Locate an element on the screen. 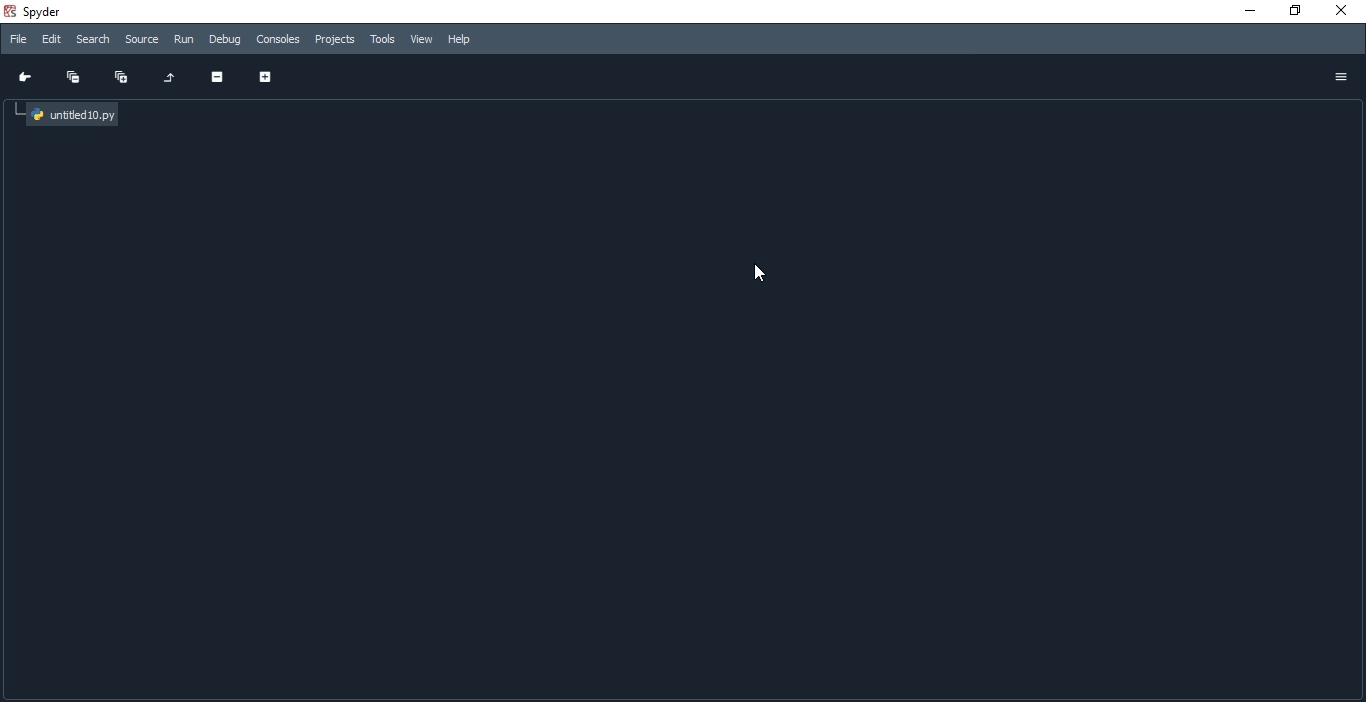  close is located at coordinates (1345, 12).